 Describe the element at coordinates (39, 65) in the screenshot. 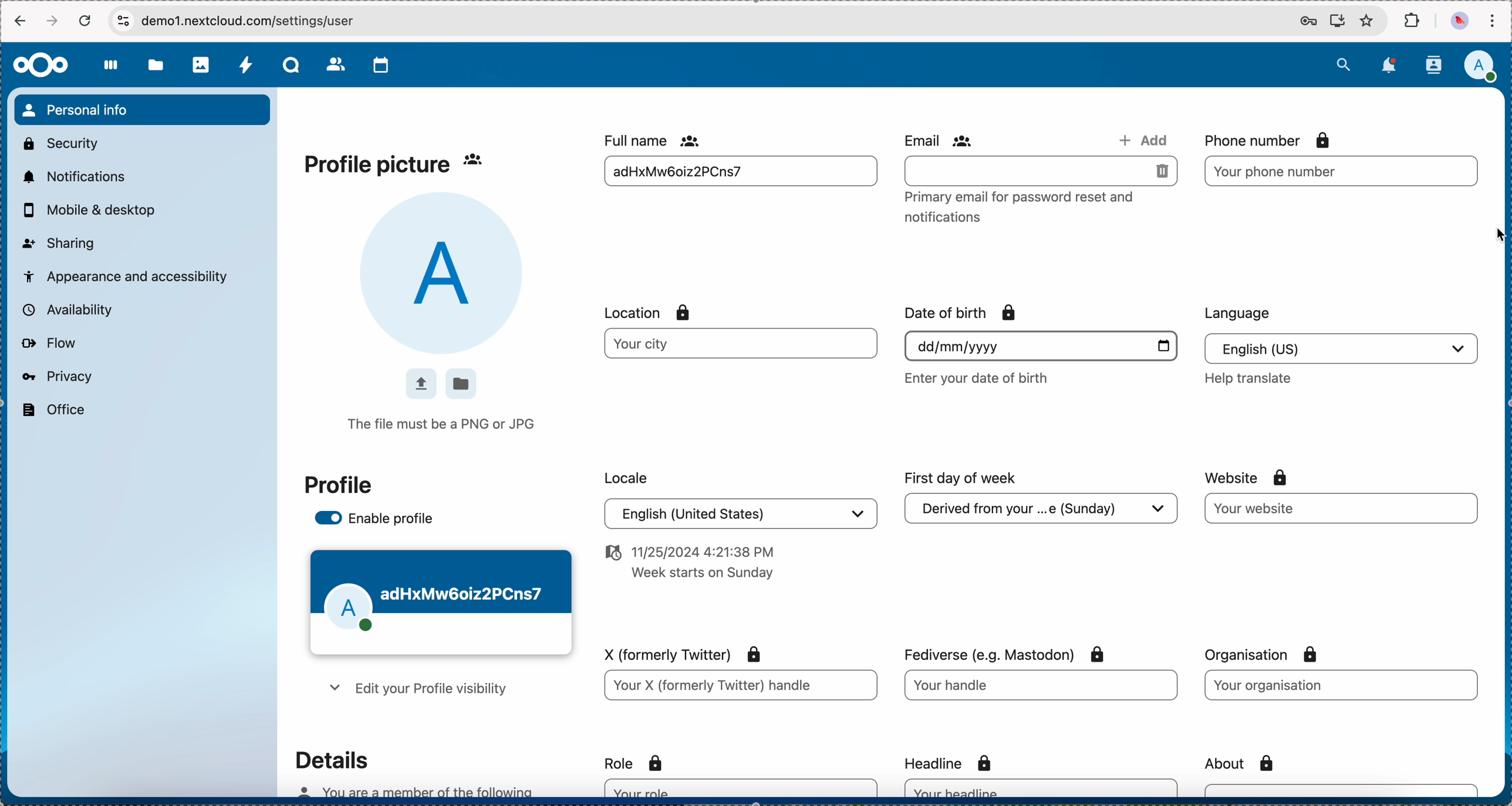

I see `Nextcloud logo` at that location.